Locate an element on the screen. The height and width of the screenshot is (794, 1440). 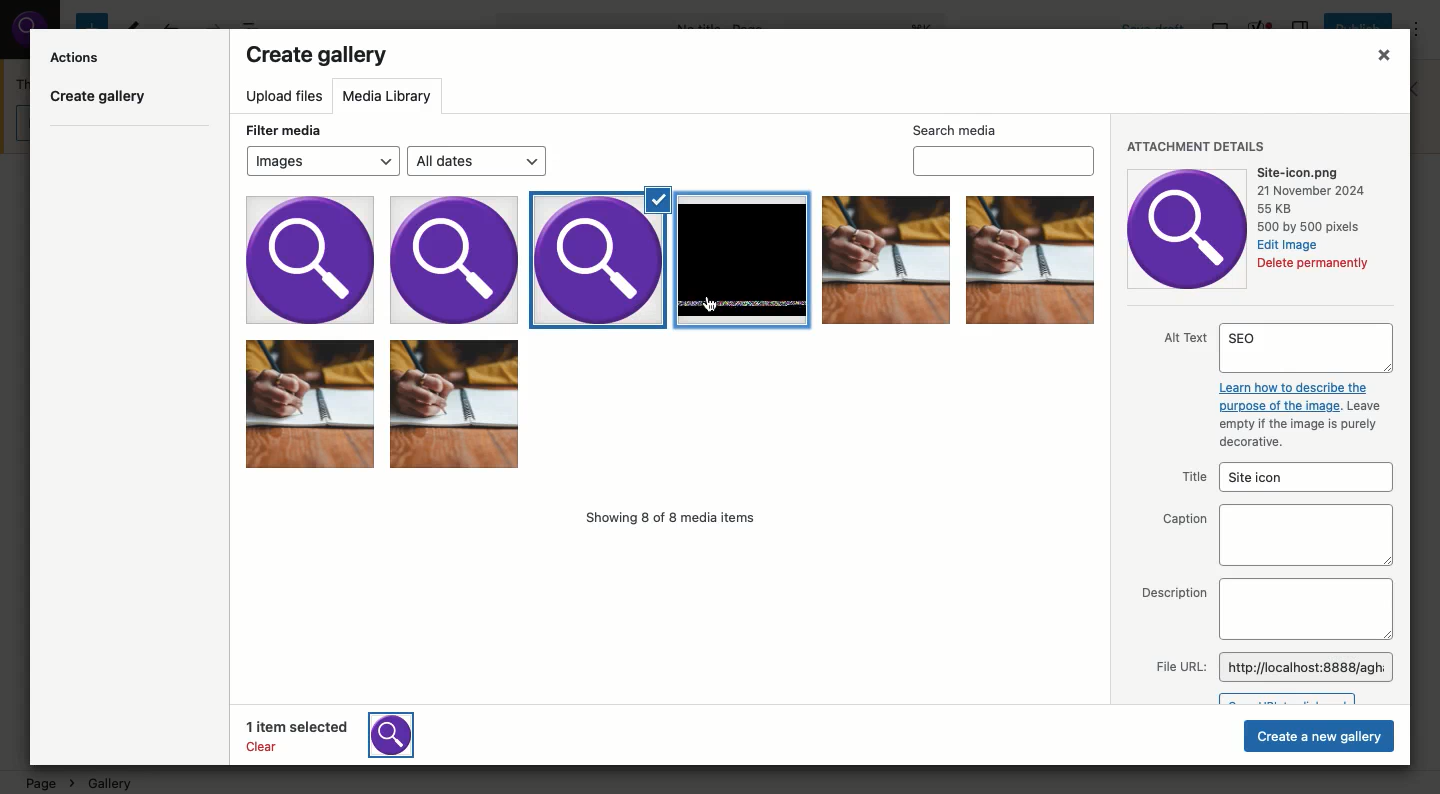
Showing 8 of 8 media items is located at coordinates (675, 520).